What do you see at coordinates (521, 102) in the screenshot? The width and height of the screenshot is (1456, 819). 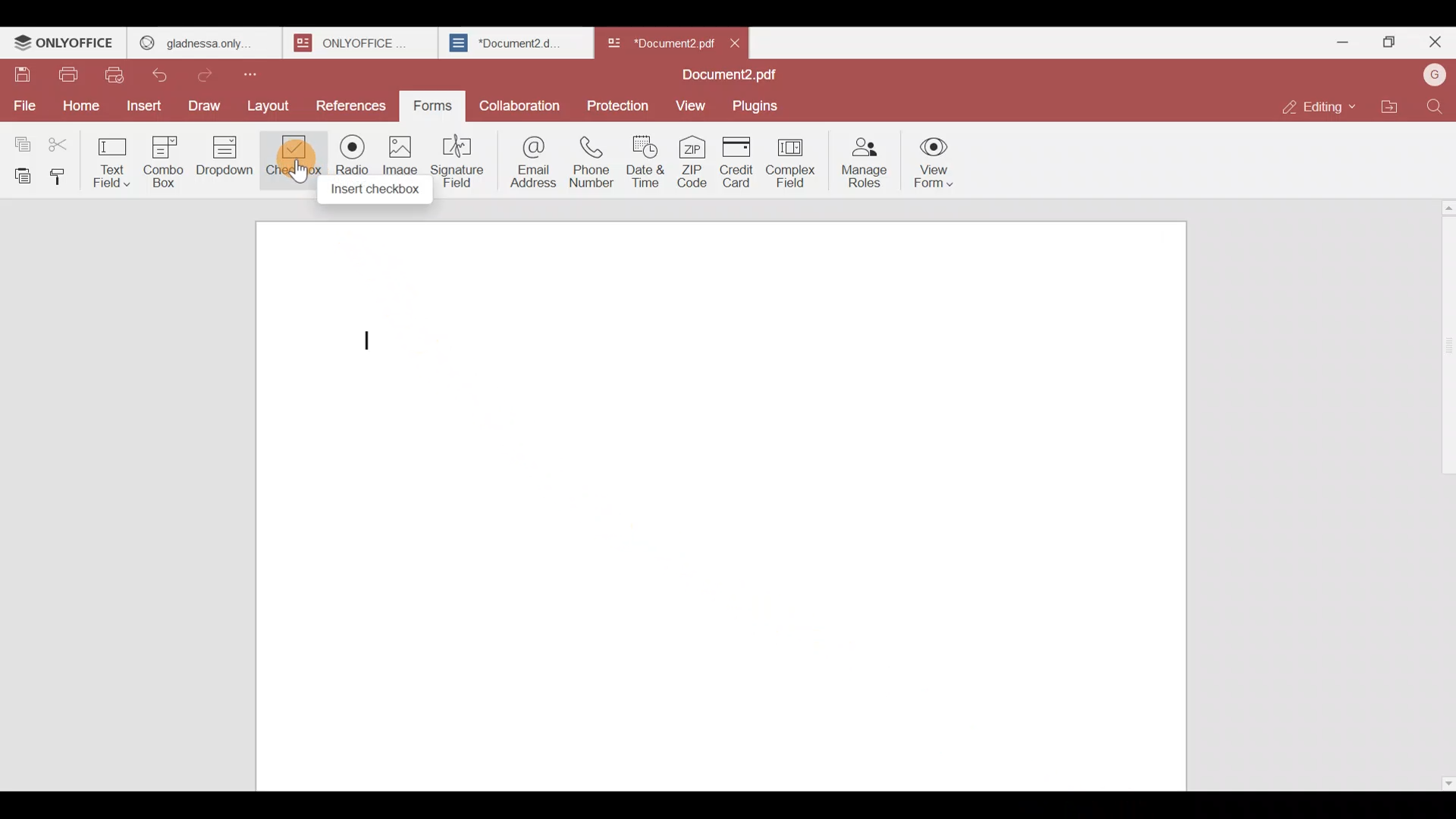 I see `Collaboration` at bounding box center [521, 102].